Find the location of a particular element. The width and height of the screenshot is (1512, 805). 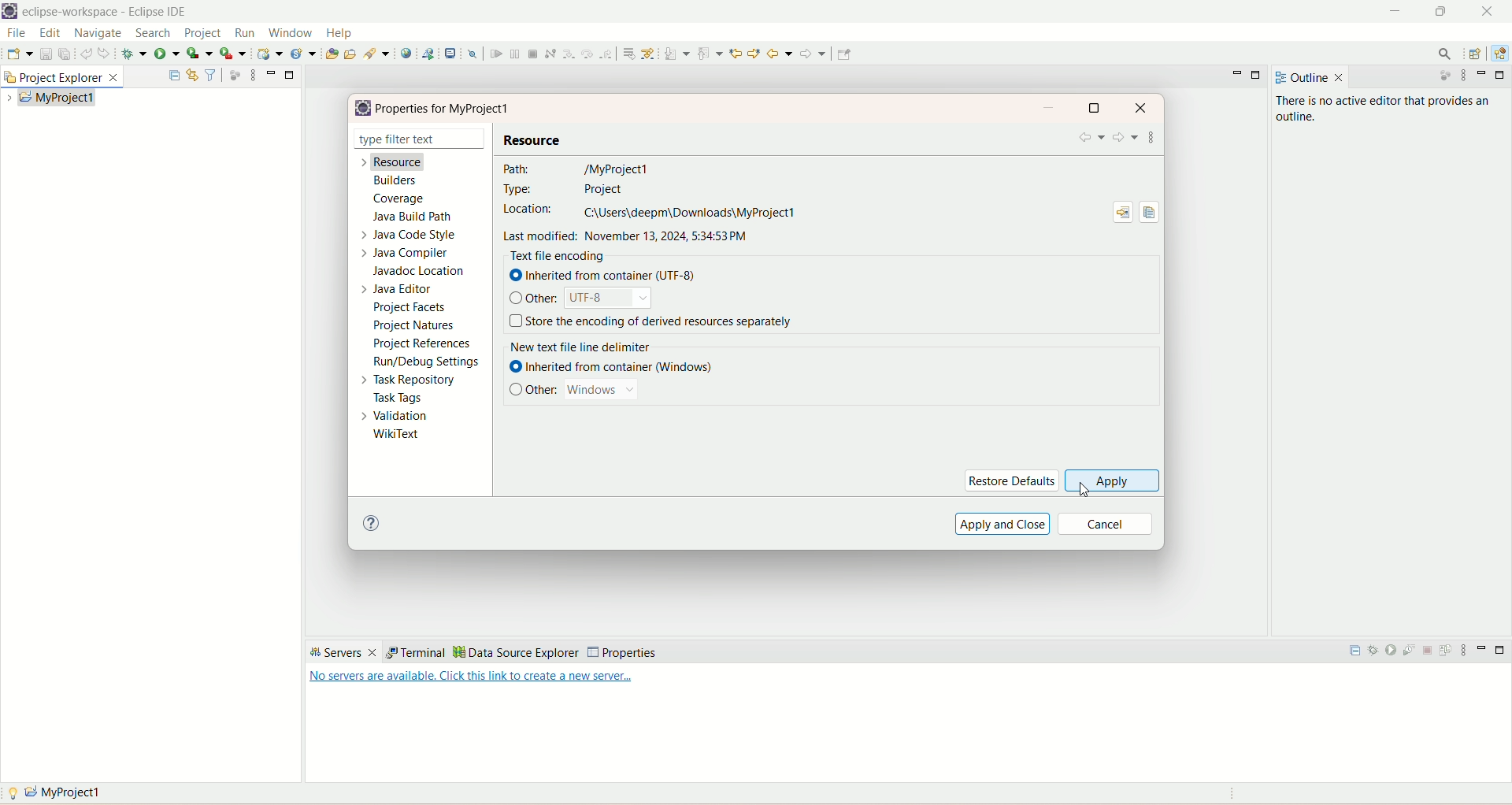

help is located at coordinates (338, 33).